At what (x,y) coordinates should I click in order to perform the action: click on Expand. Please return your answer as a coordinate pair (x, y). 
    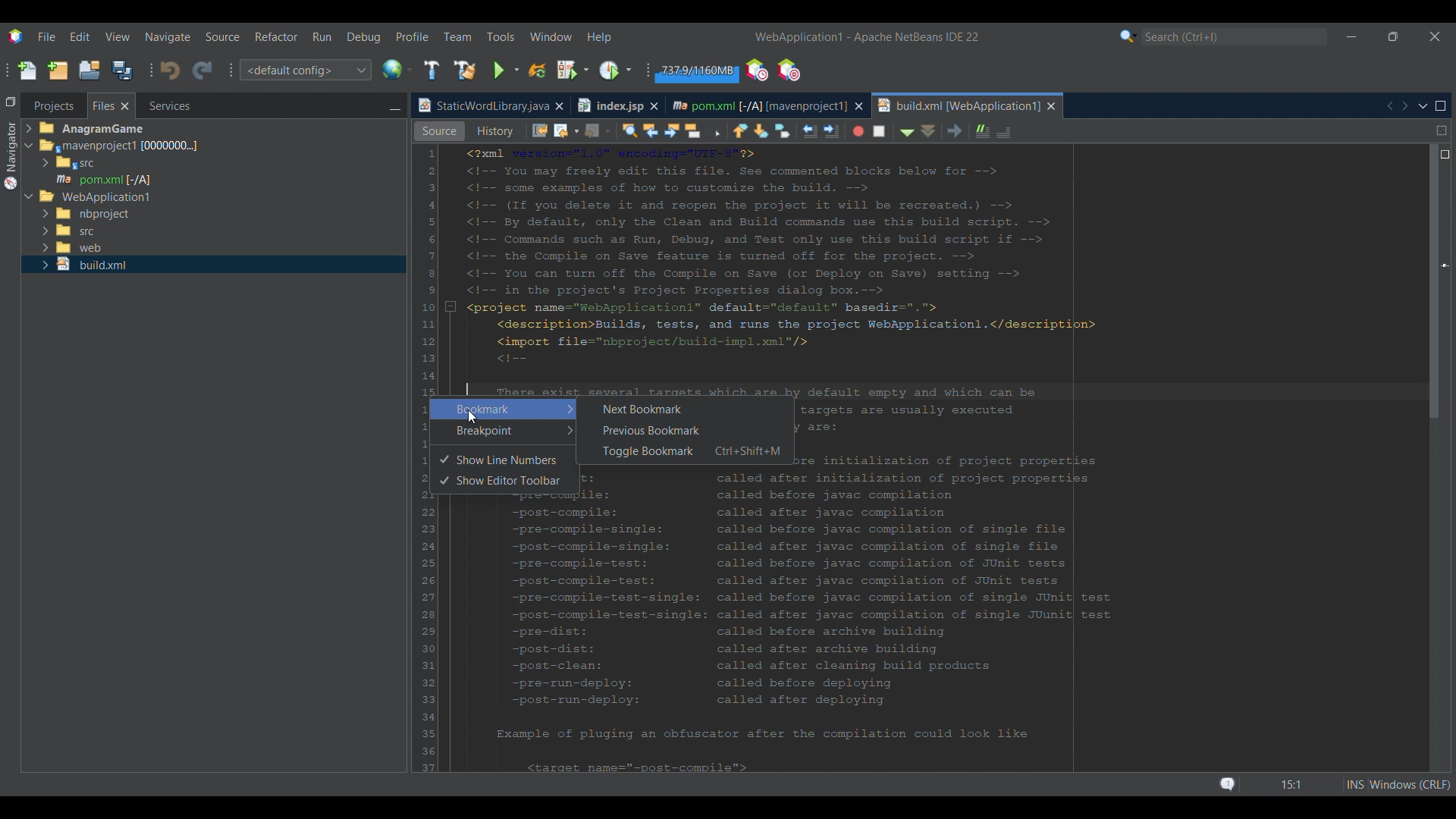
    Looking at the image, I should click on (31, 165).